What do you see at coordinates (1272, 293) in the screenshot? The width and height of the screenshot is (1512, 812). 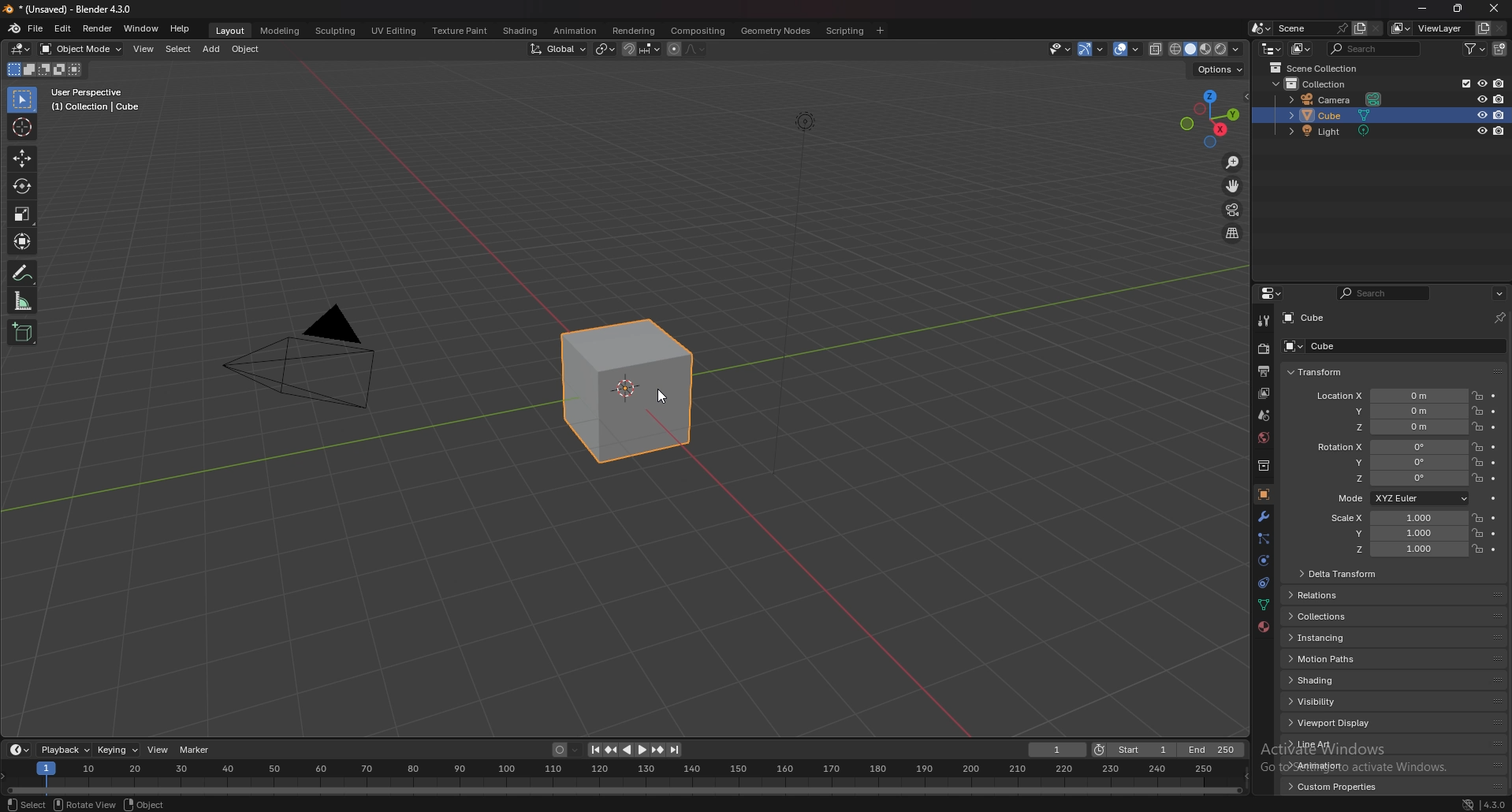 I see `editor` at bounding box center [1272, 293].